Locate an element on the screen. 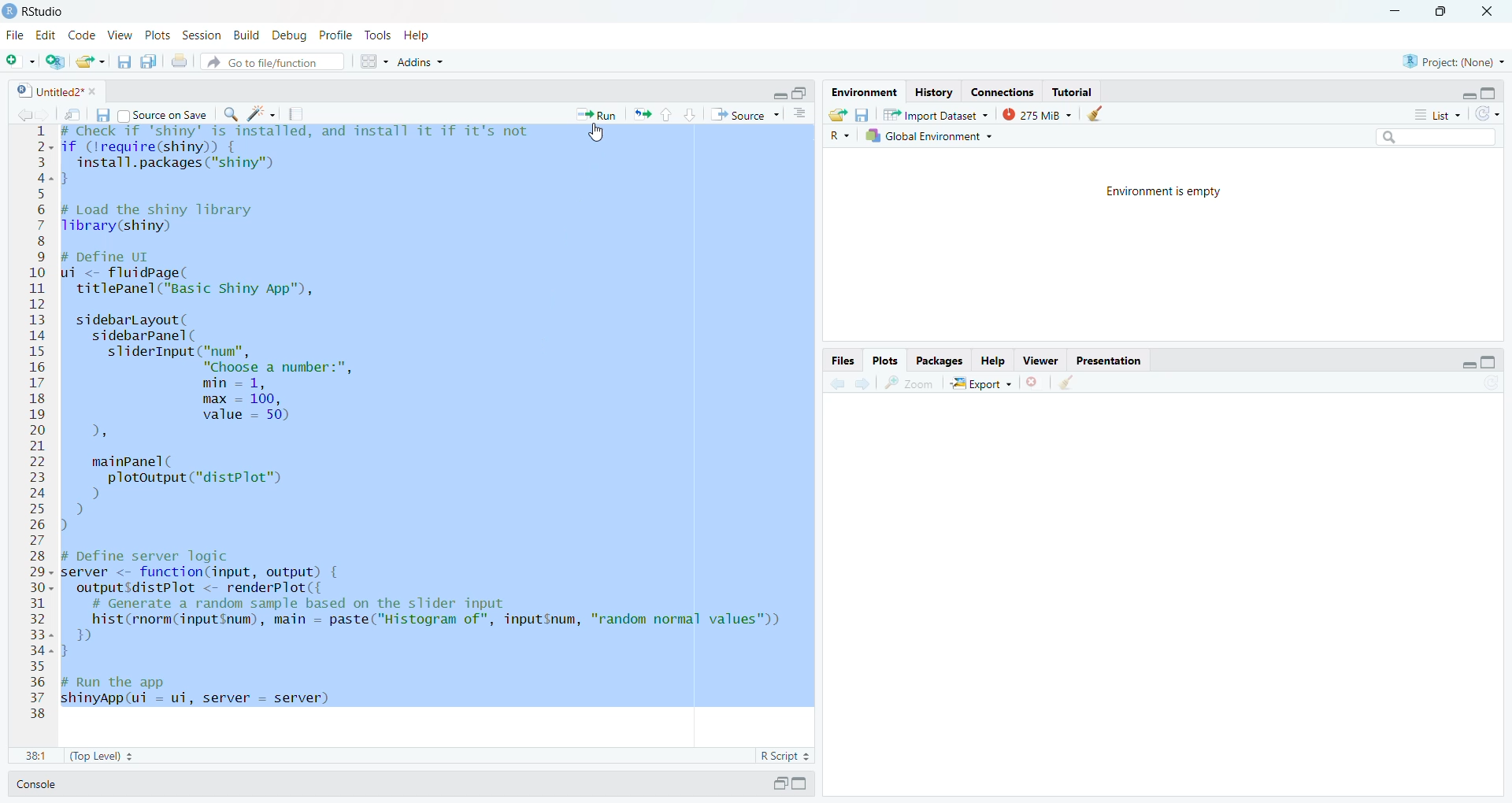  refresh is located at coordinates (1488, 113).